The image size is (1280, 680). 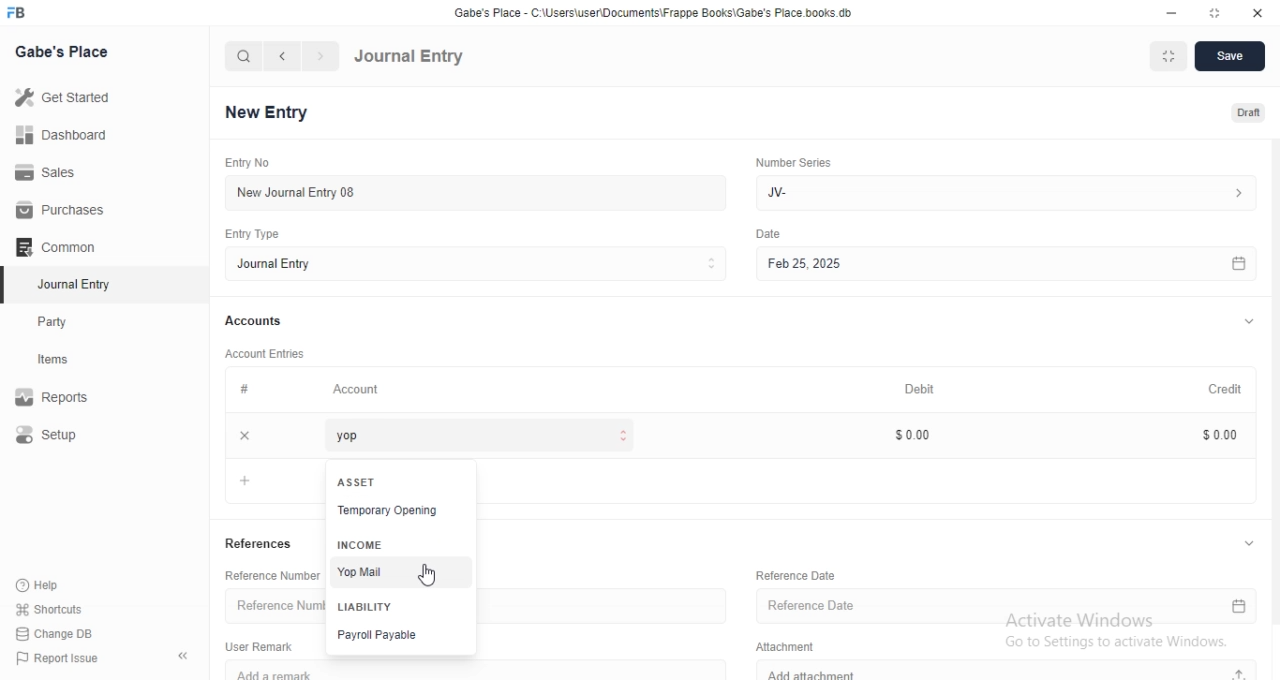 What do you see at coordinates (410, 57) in the screenshot?
I see `Journal Entry` at bounding box center [410, 57].